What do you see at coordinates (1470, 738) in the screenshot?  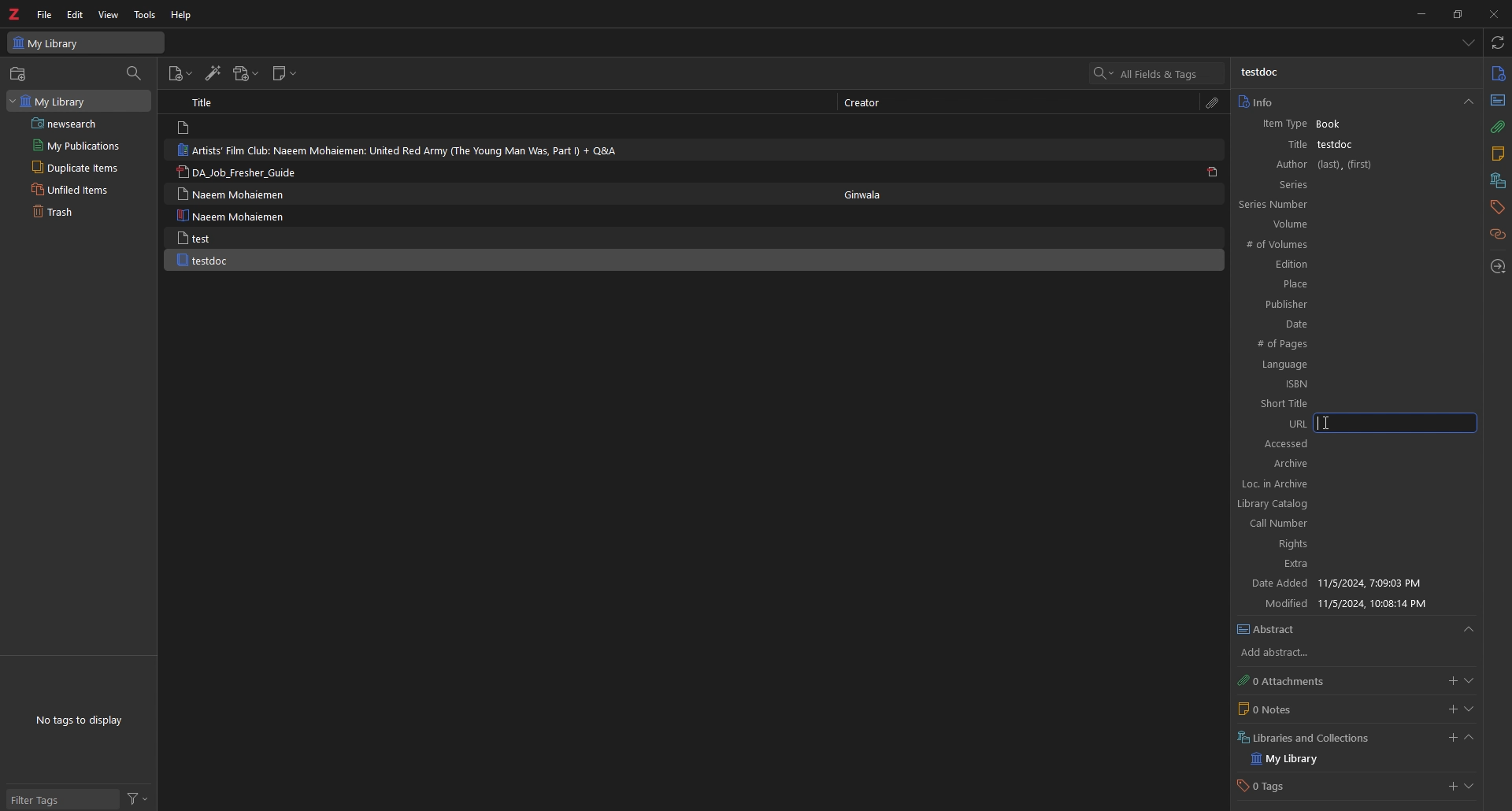 I see `collapse` at bounding box center [1470, 738].